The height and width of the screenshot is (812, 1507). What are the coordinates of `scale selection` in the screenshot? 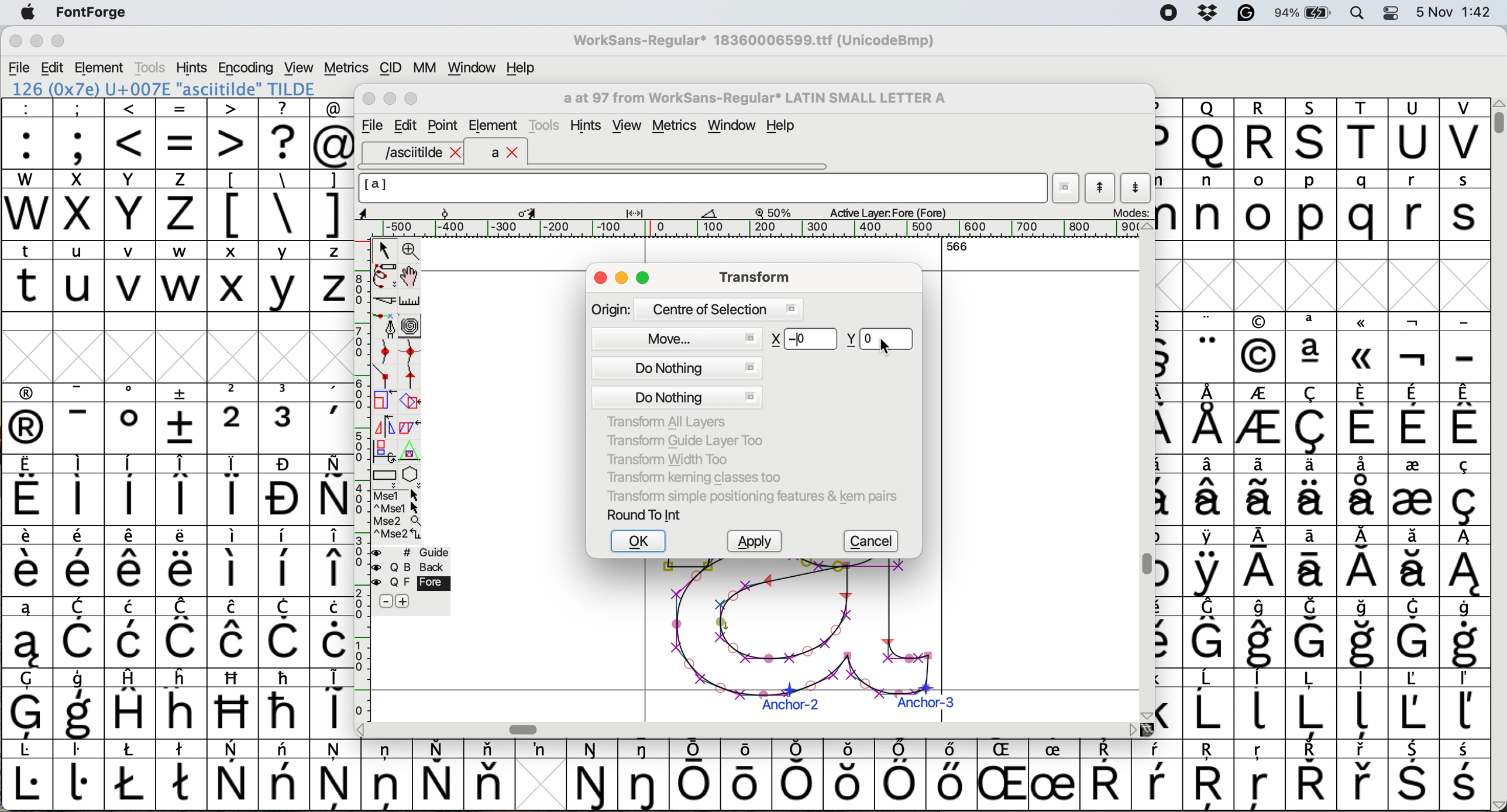 It's located at (386, 400).